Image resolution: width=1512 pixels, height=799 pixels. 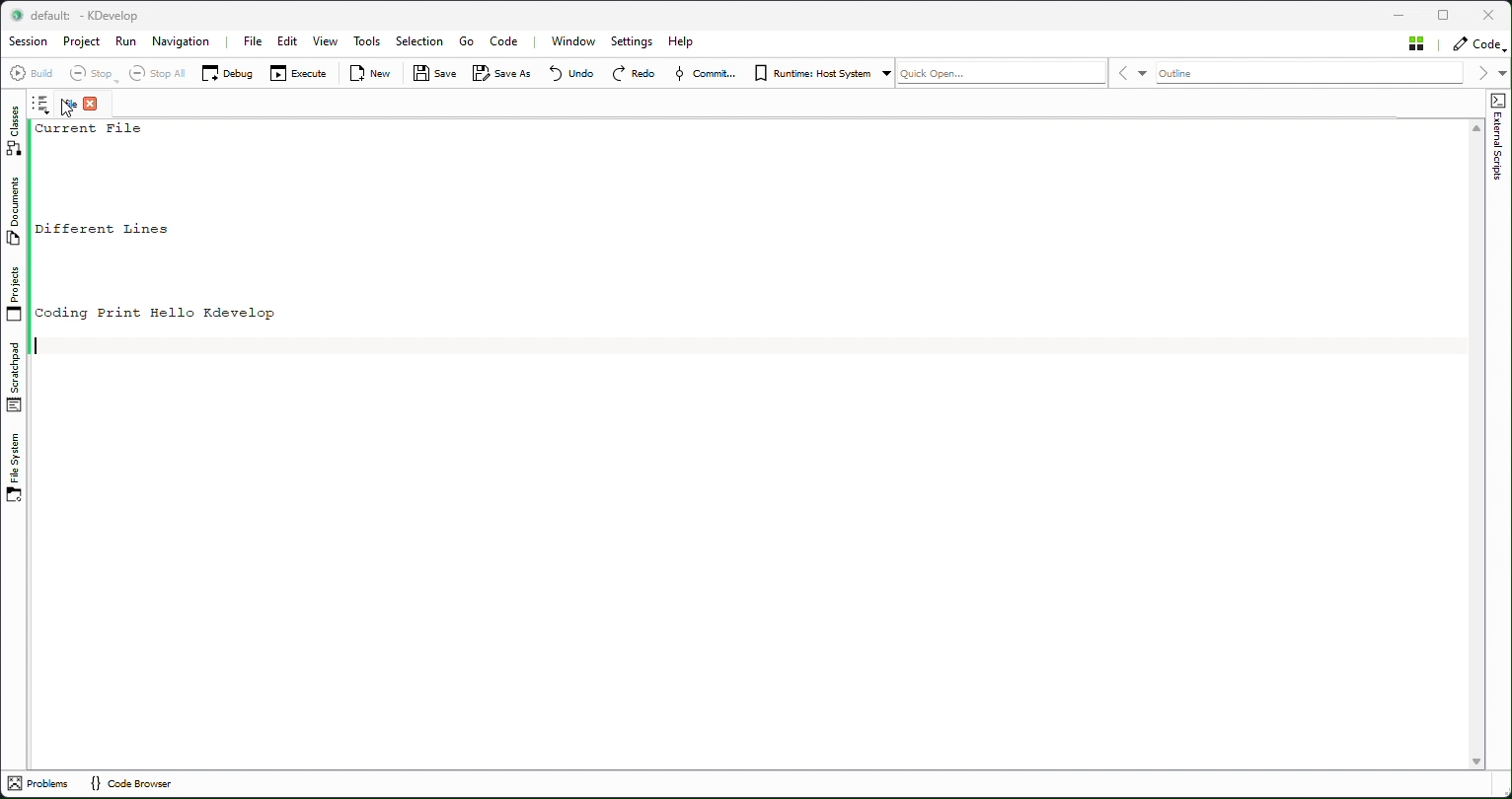 I want to click on Outline, so click(x=1315, y=73).